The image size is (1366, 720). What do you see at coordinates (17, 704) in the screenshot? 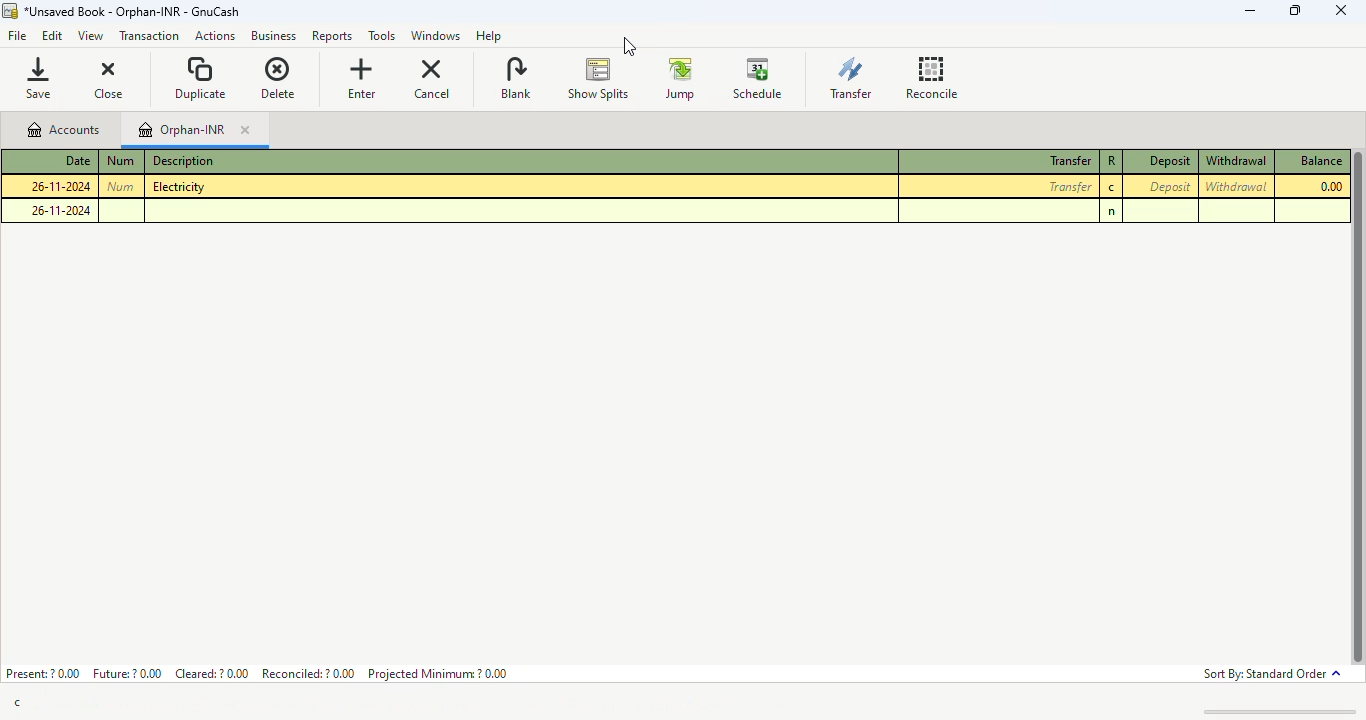
I see `c` at bounding box center [17, 704].